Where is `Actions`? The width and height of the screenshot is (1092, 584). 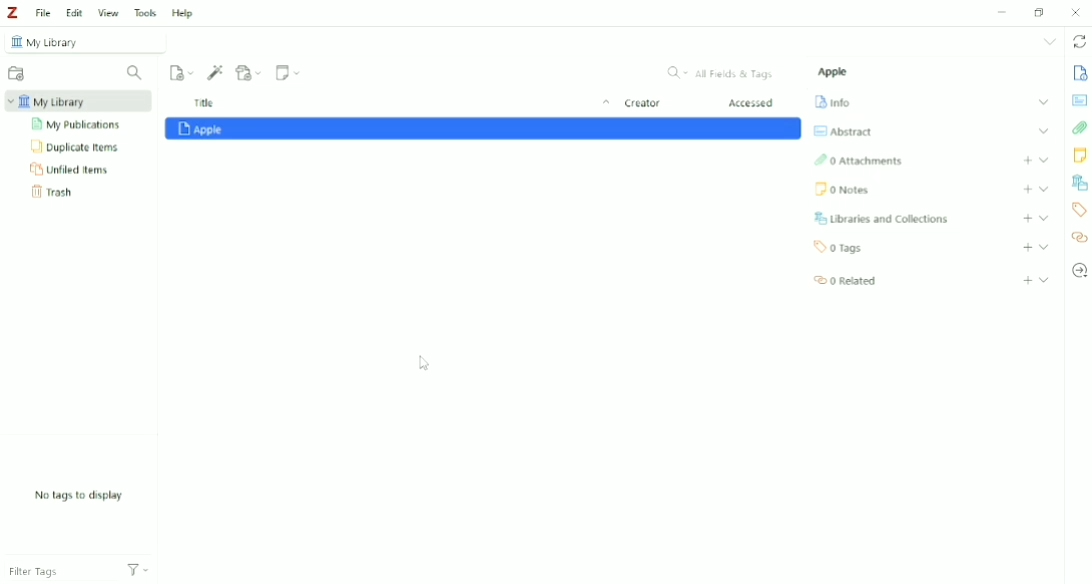
Actions is located at coordinates (138, 573).